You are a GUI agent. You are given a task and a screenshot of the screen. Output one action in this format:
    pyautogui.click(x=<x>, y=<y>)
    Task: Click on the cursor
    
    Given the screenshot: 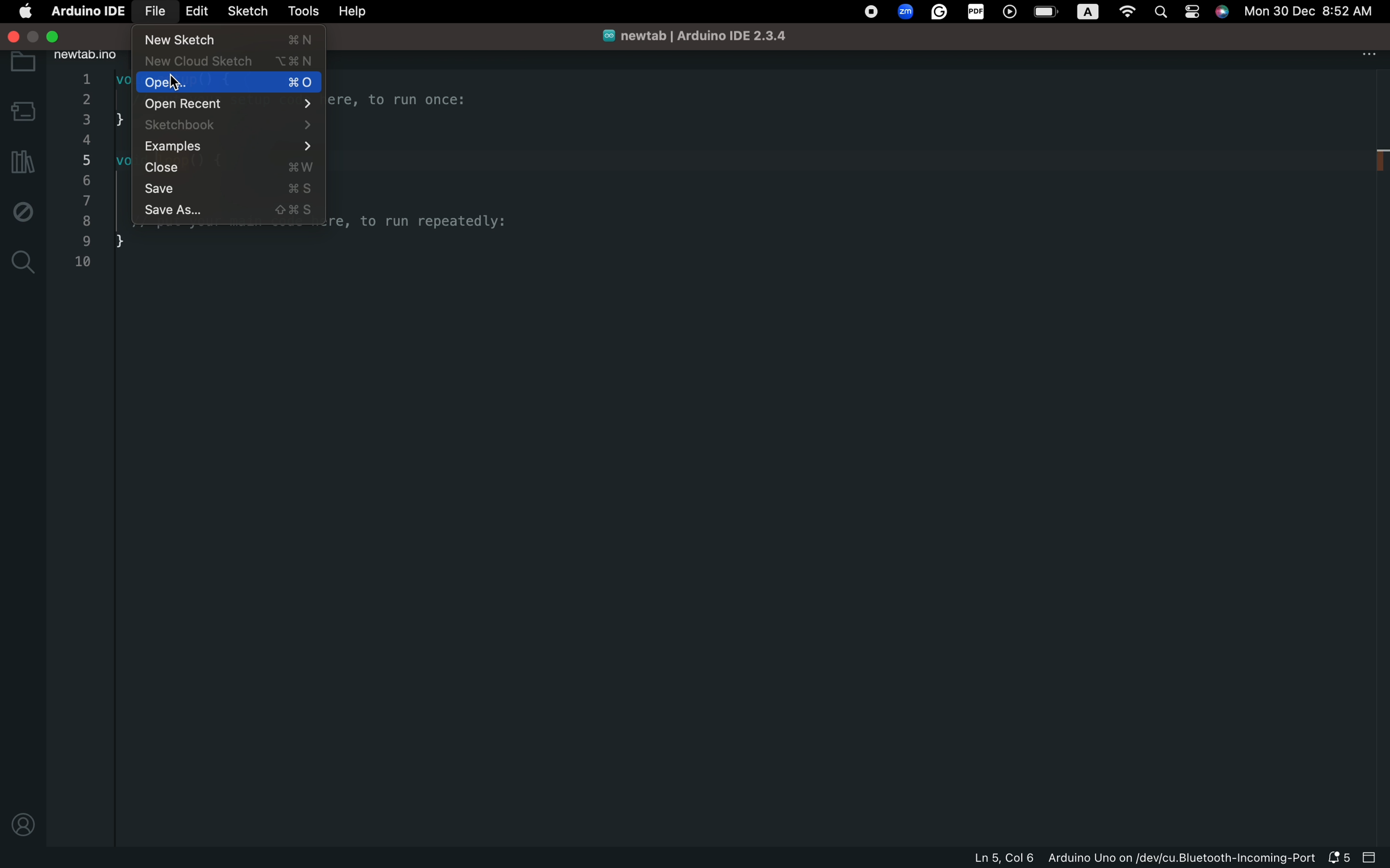 What is the action you would take?
    pyautogui.click(x=173, y=81)
    